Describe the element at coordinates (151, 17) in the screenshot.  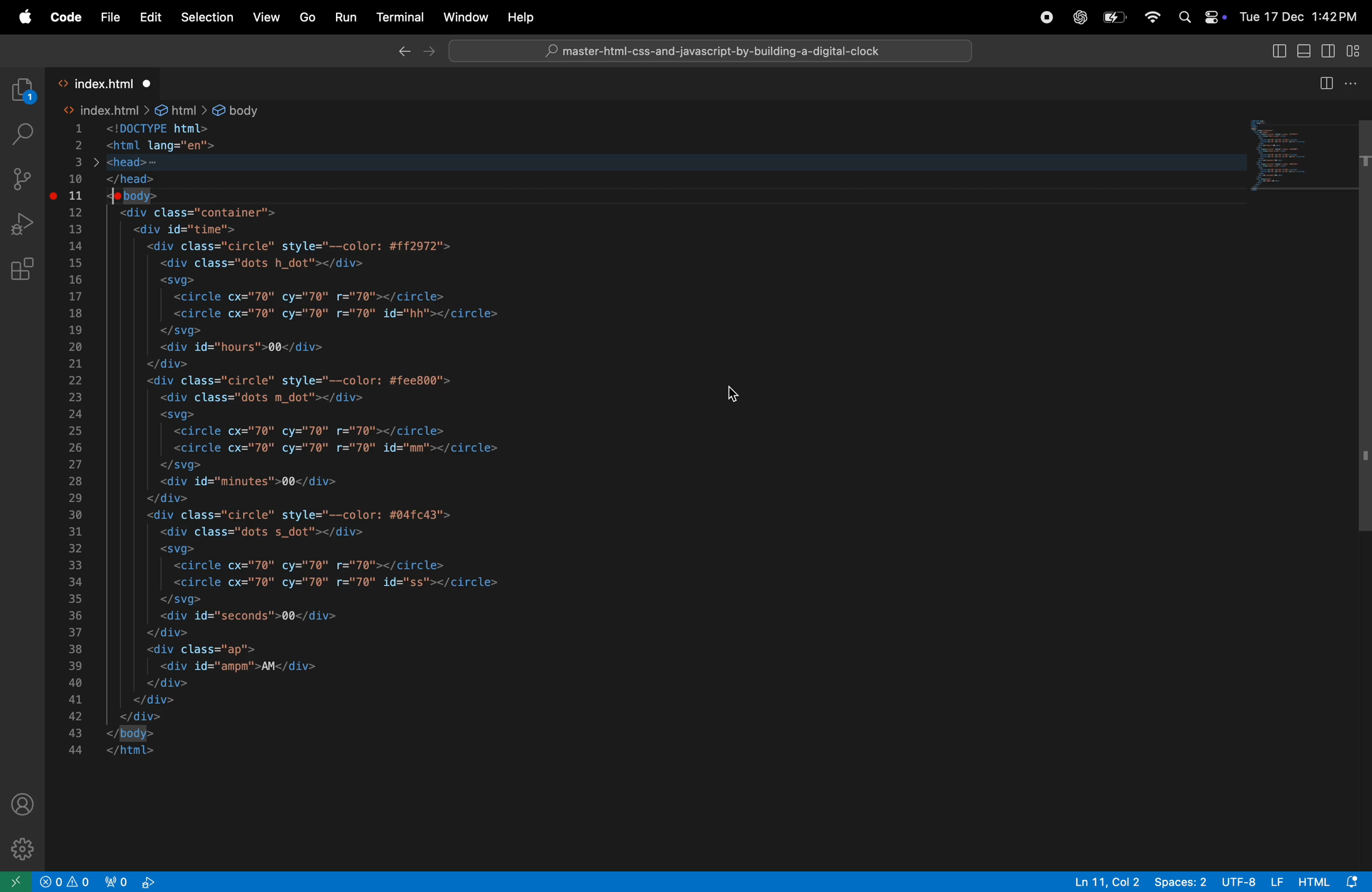
I see `Edit` at that location.